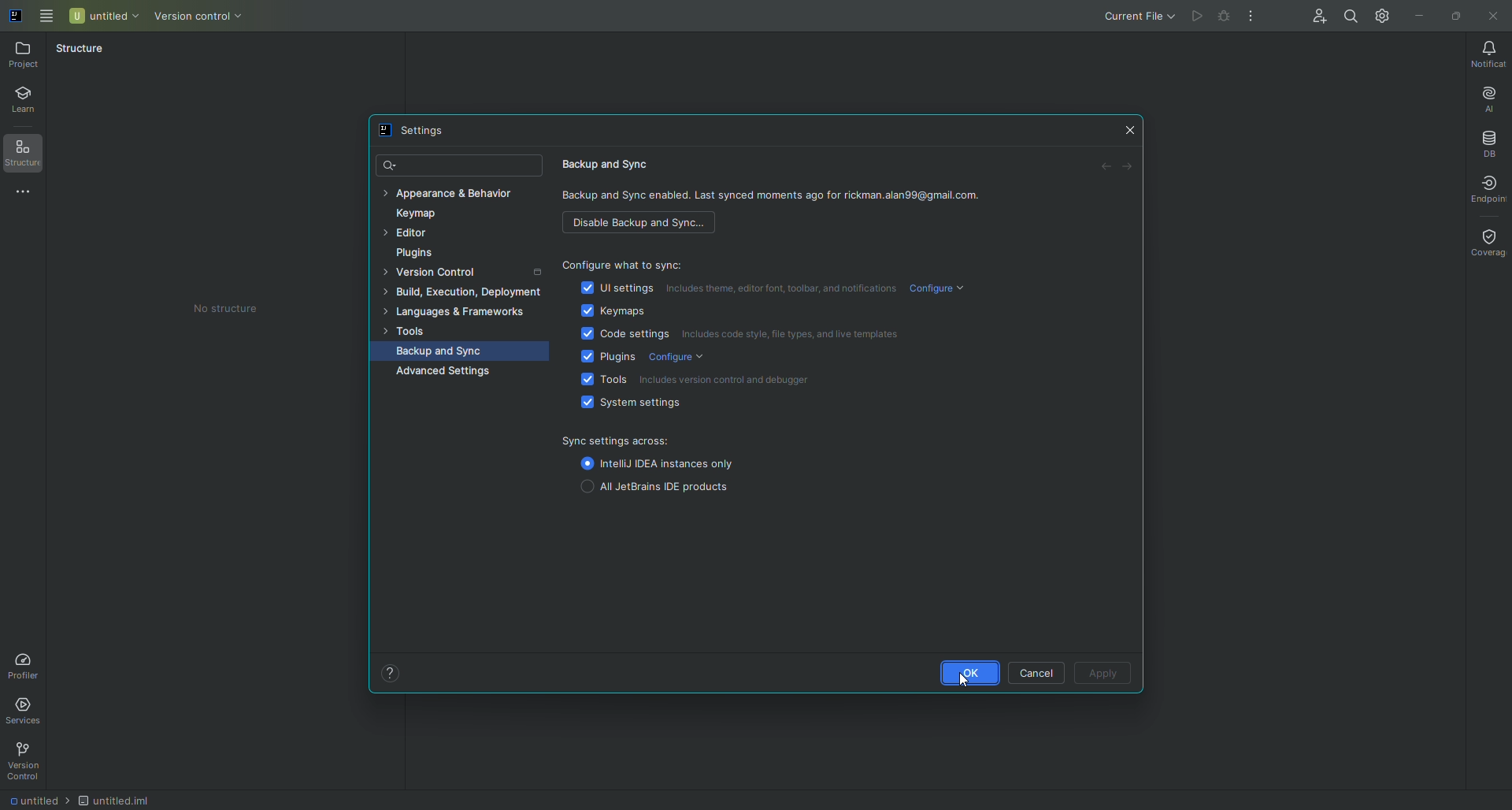  What do you see at coordinates (1125, 17) in the screenshot?
I see `Current File` at bounding box center [1125, 17].